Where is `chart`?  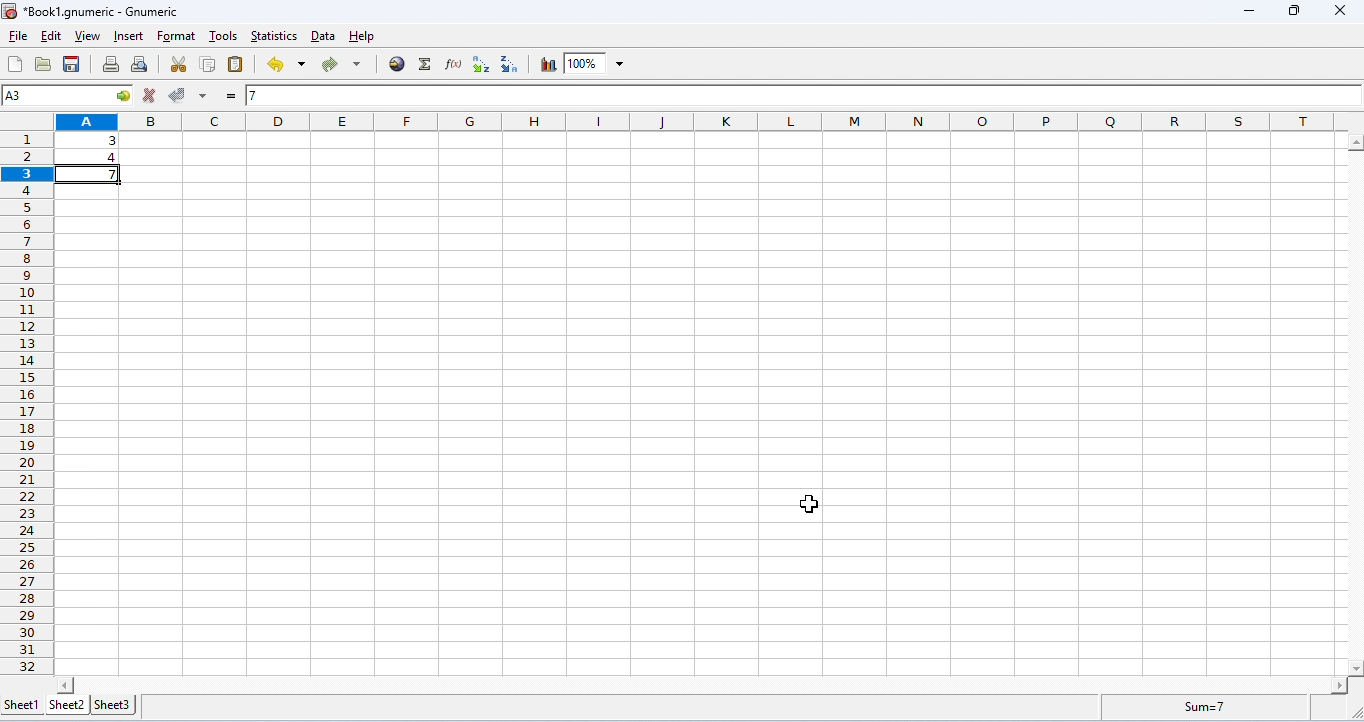 chart is located at coordinates (546, 64).